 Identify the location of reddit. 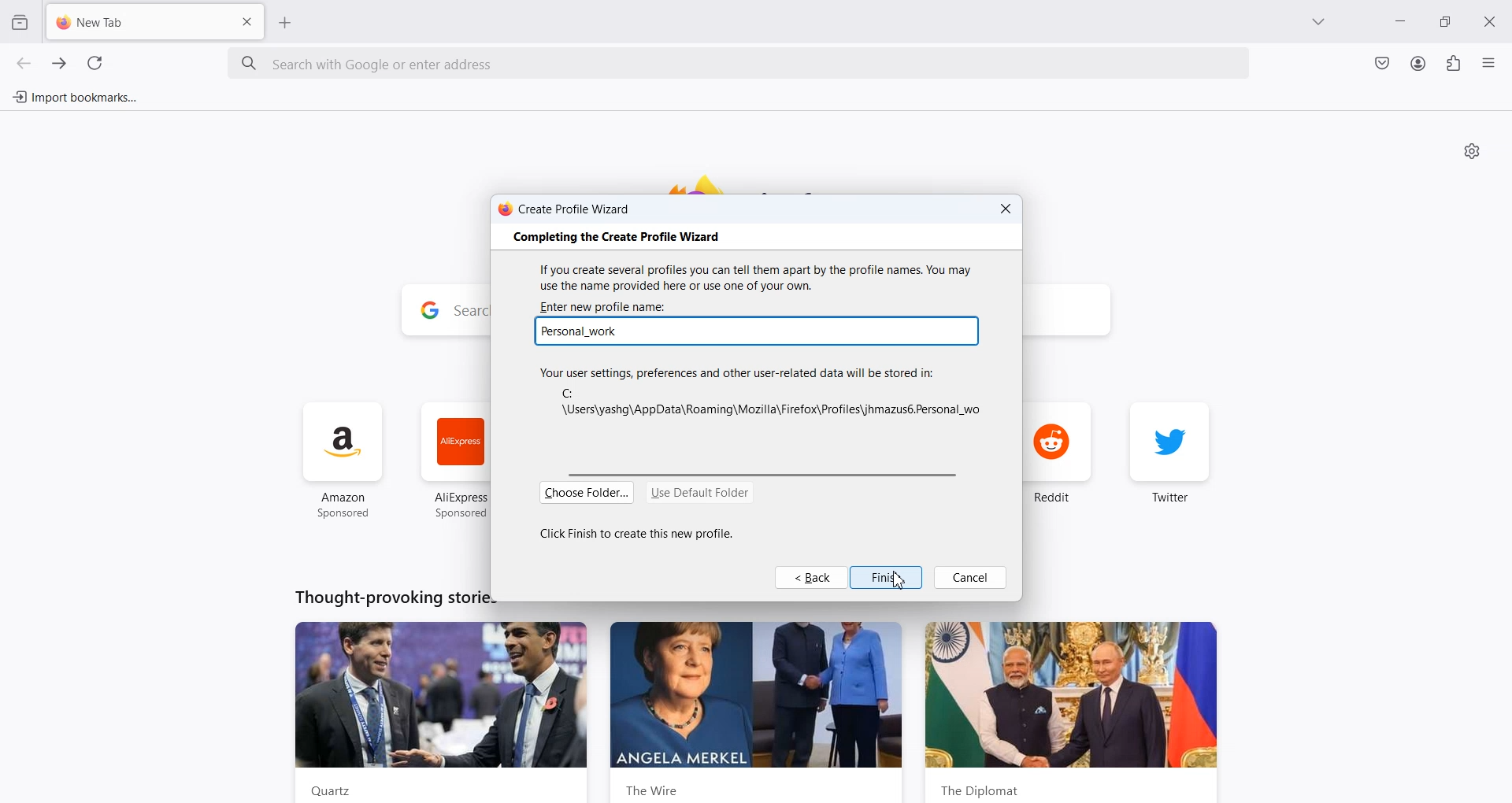
(1062, 453).